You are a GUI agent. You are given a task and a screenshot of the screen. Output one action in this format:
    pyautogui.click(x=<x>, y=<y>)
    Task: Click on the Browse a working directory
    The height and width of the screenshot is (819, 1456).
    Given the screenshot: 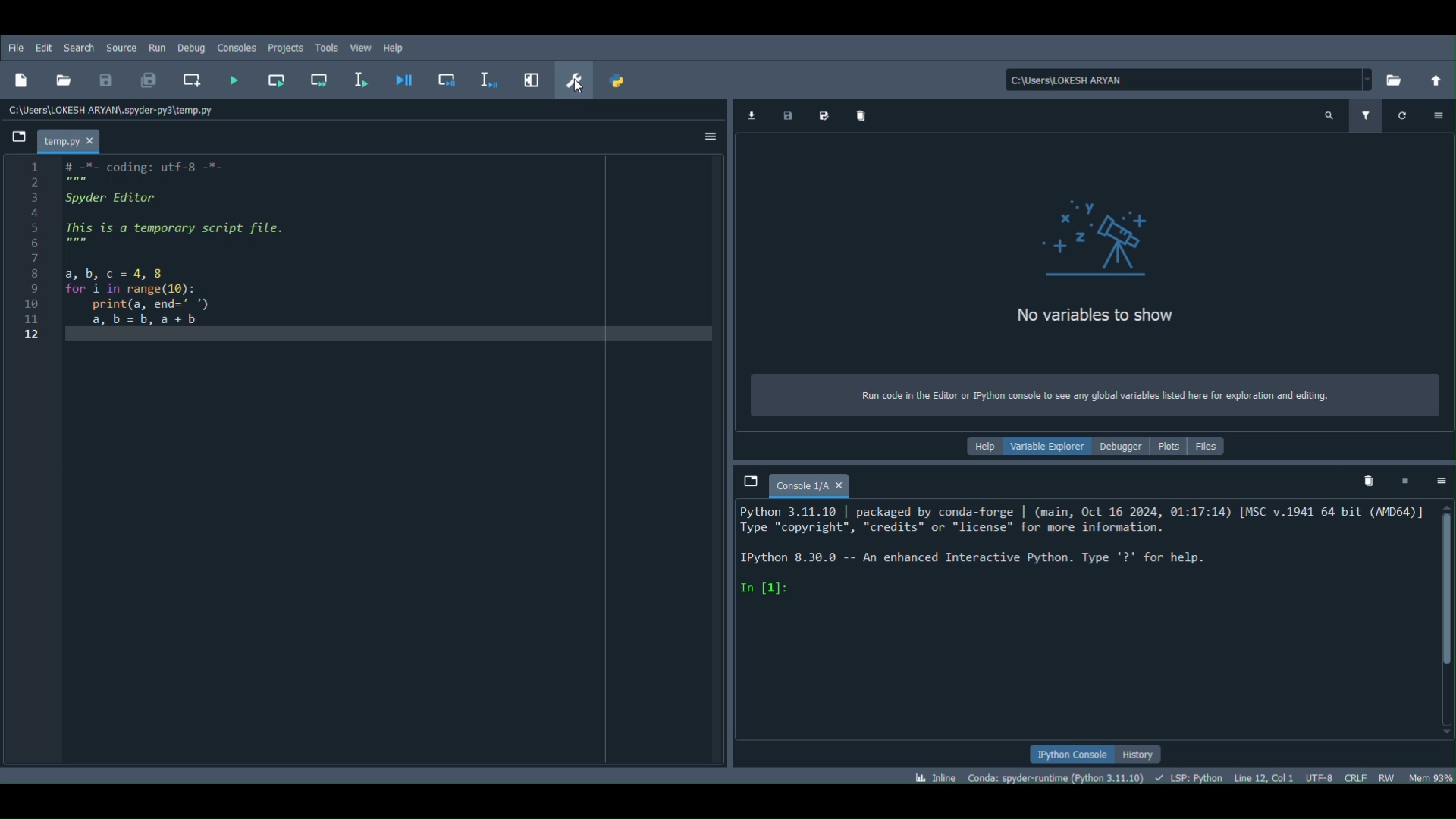 What is the action you would take?
    pyautogui.click(x=1400, y=76)
    